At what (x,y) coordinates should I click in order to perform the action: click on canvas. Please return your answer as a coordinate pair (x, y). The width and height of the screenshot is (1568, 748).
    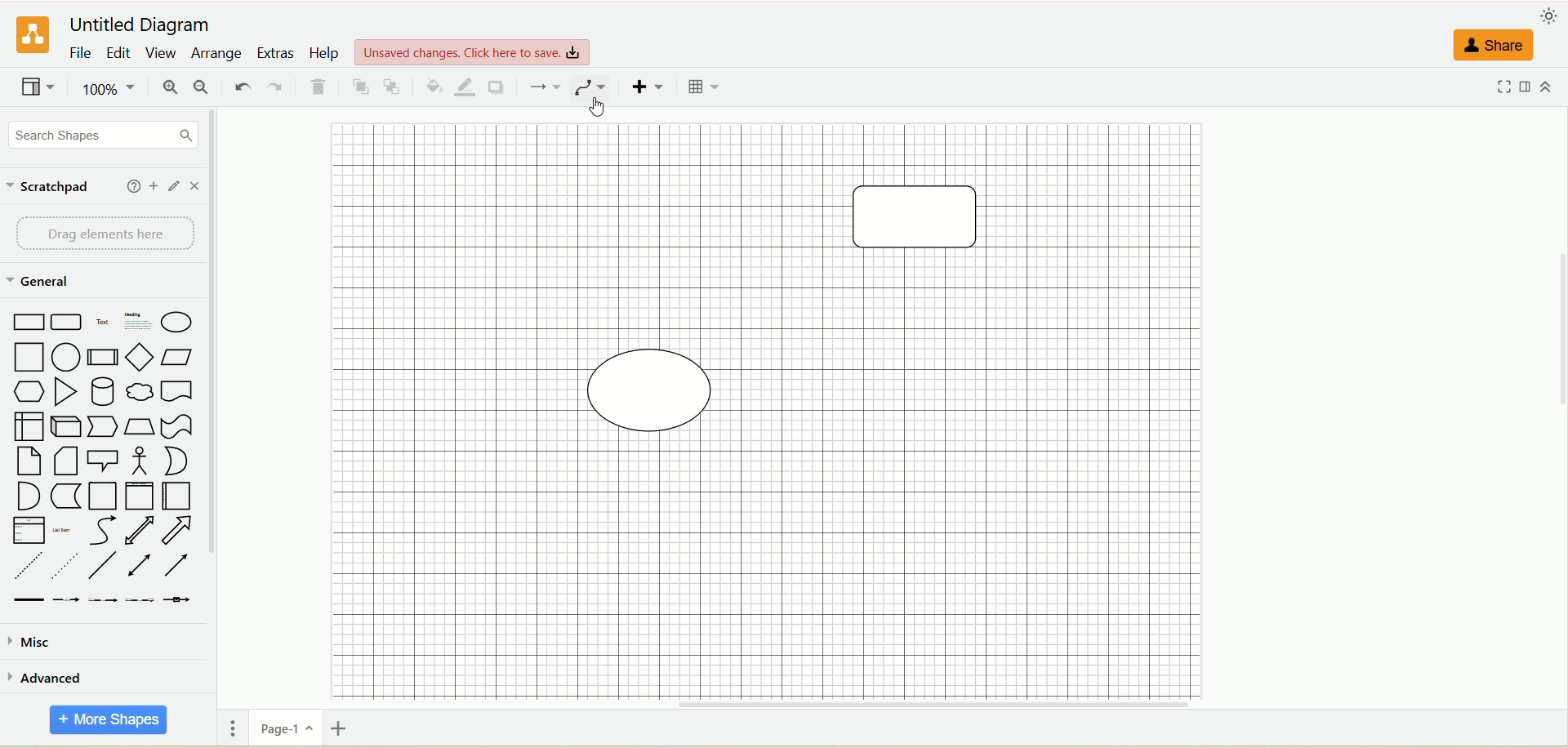
    Looking at the image, I should click on (776, 408).